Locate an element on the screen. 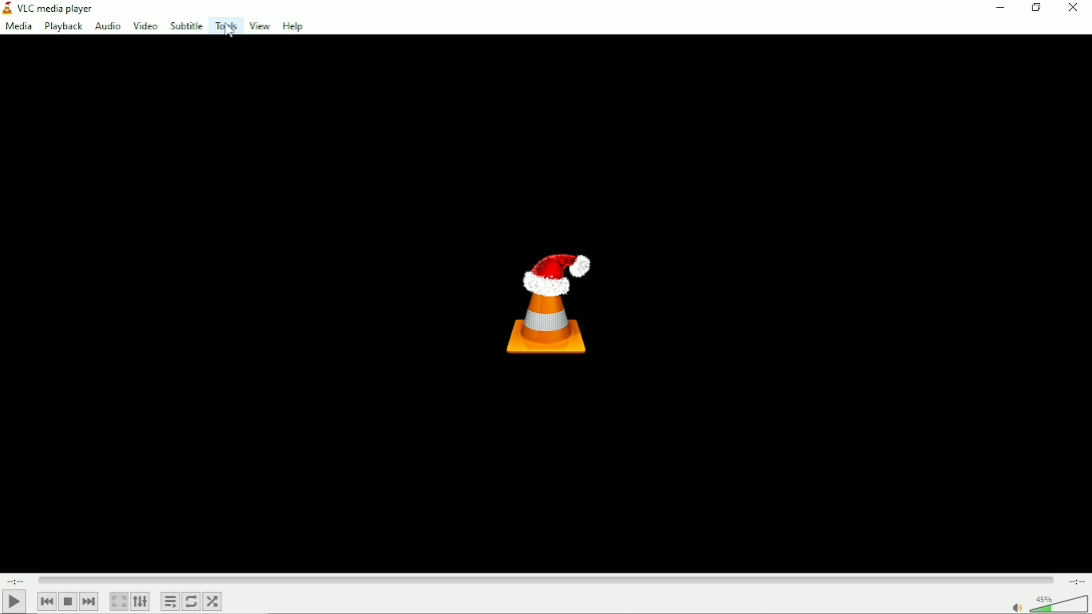 The image size is (1092, 614). Audio is located at coordinates (108, 27).